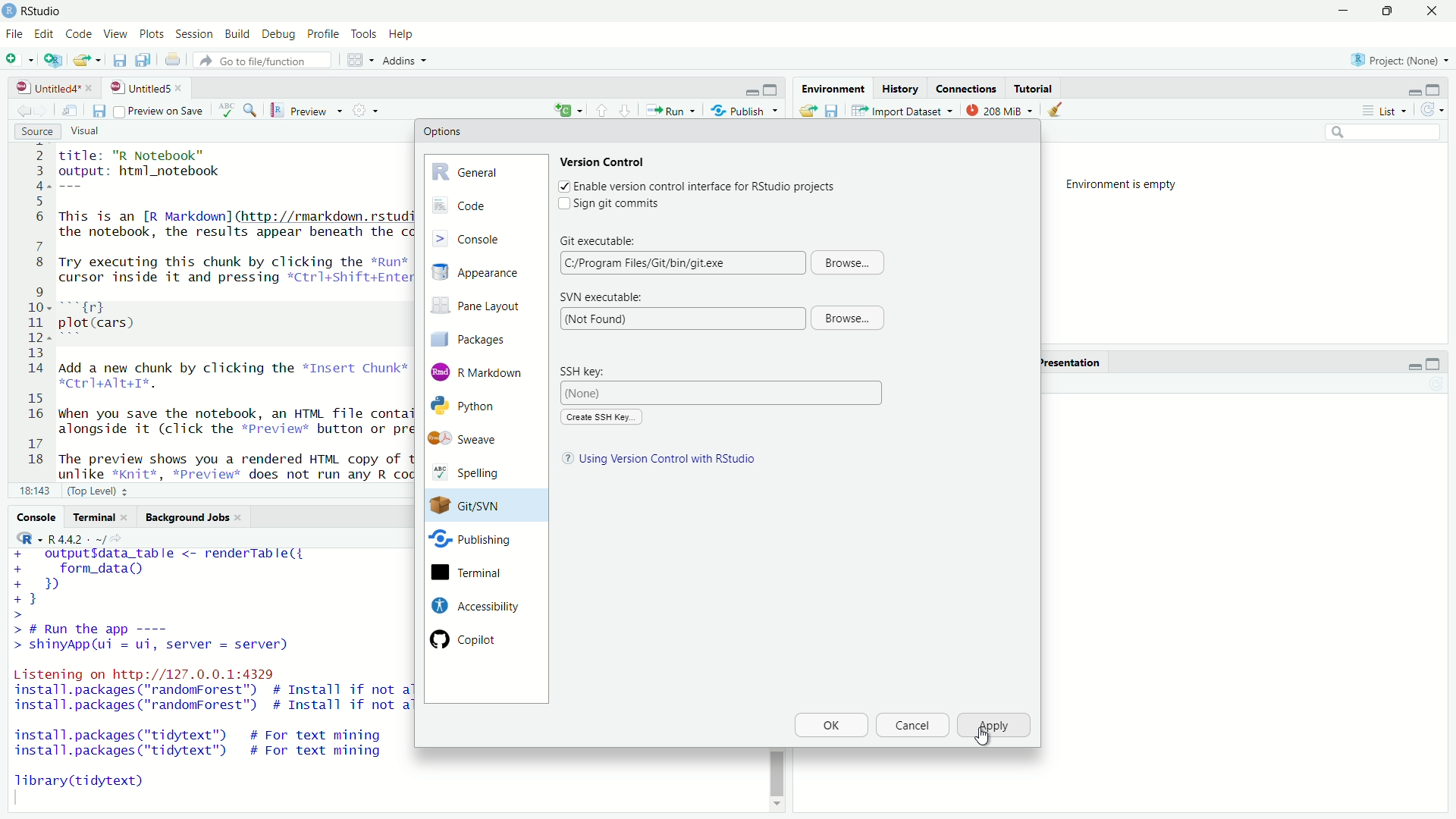 This screenshot has height=819, width=1456. What do you see at coordinates (1036, 88) in the screenshot?
I see `Tutorial` at bounding box center [1036, 88].